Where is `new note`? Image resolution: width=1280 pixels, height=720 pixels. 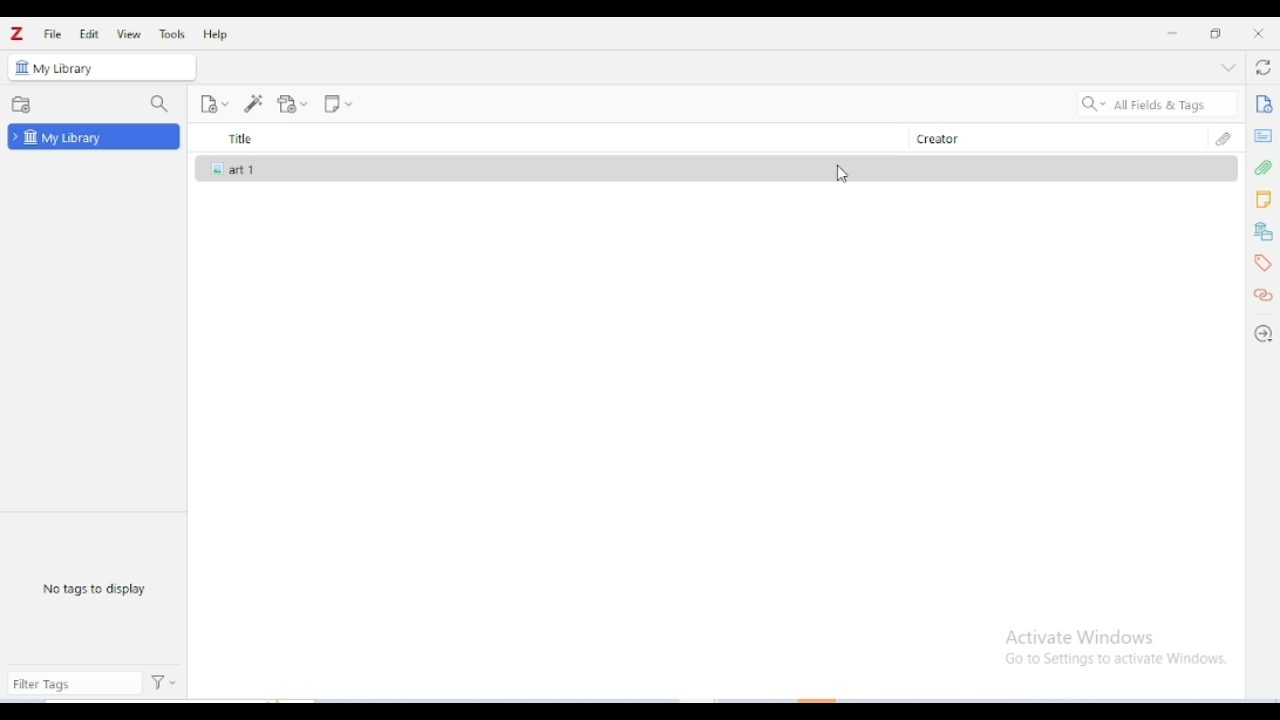
new note is located at coordinates (338, 104).